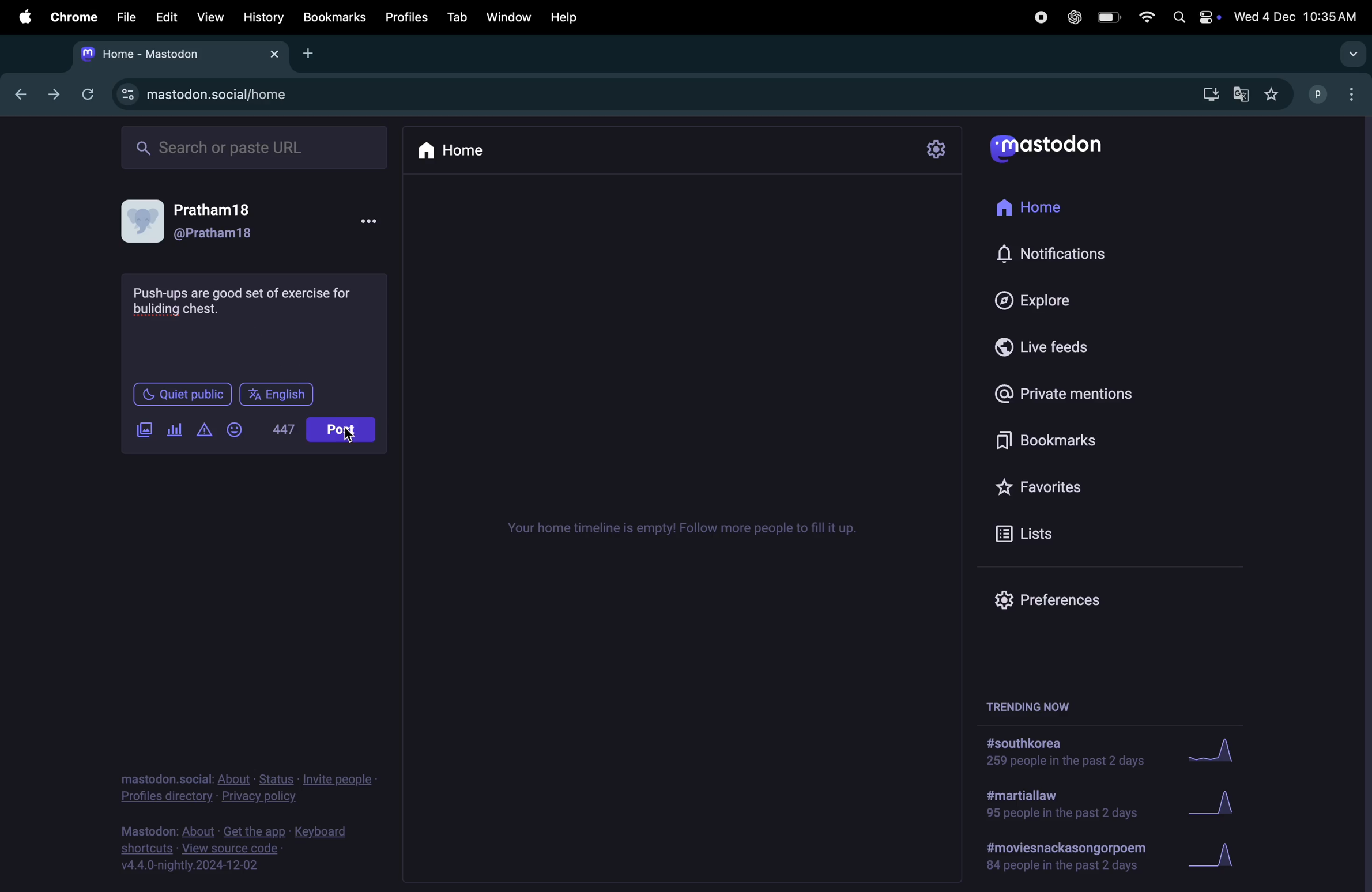 Image resolution: width=1372 pixels, height=892 pixels. I want to click on Edit, so click(168, 17).